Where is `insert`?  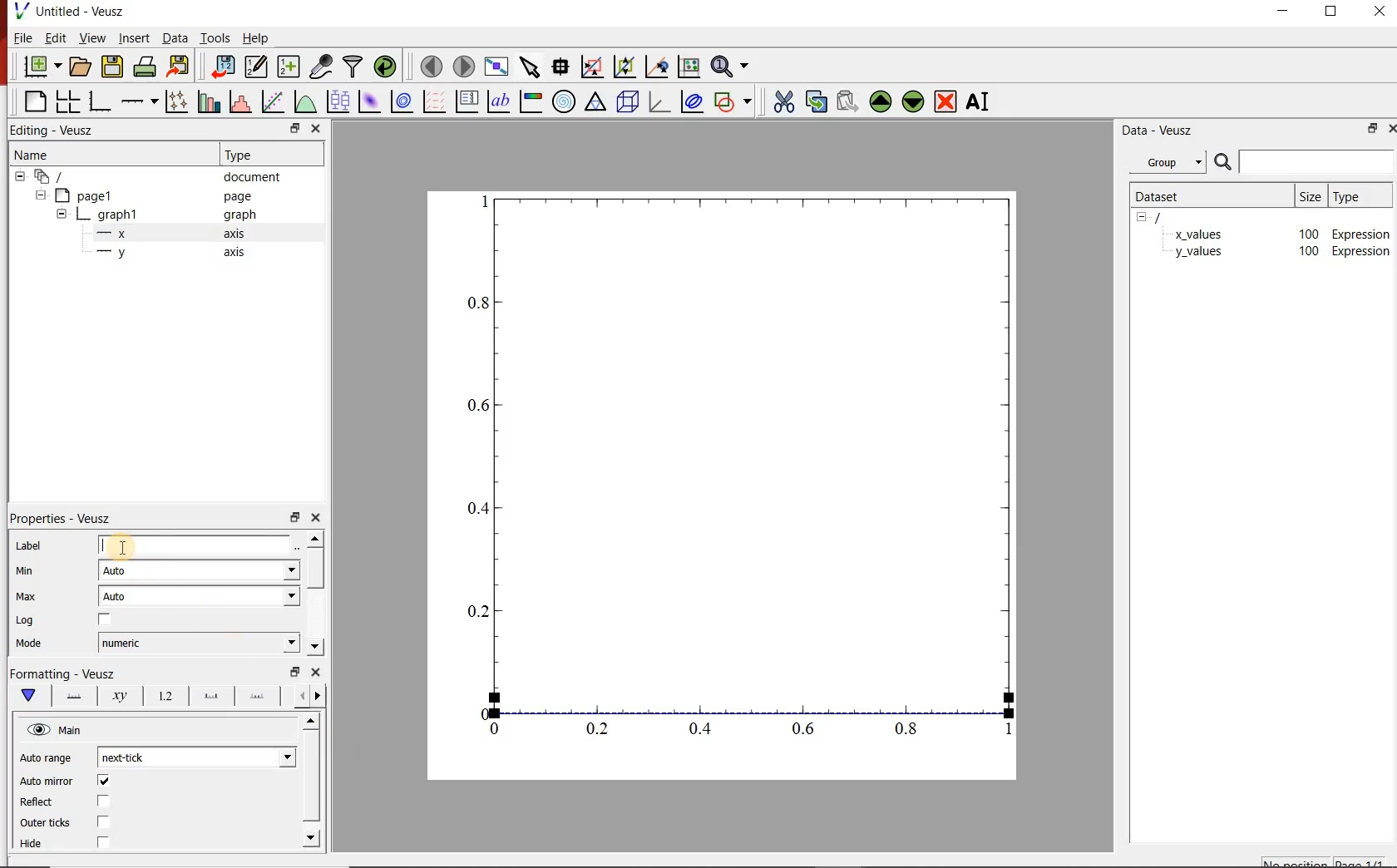 insert is located at coordinates (134, 37).